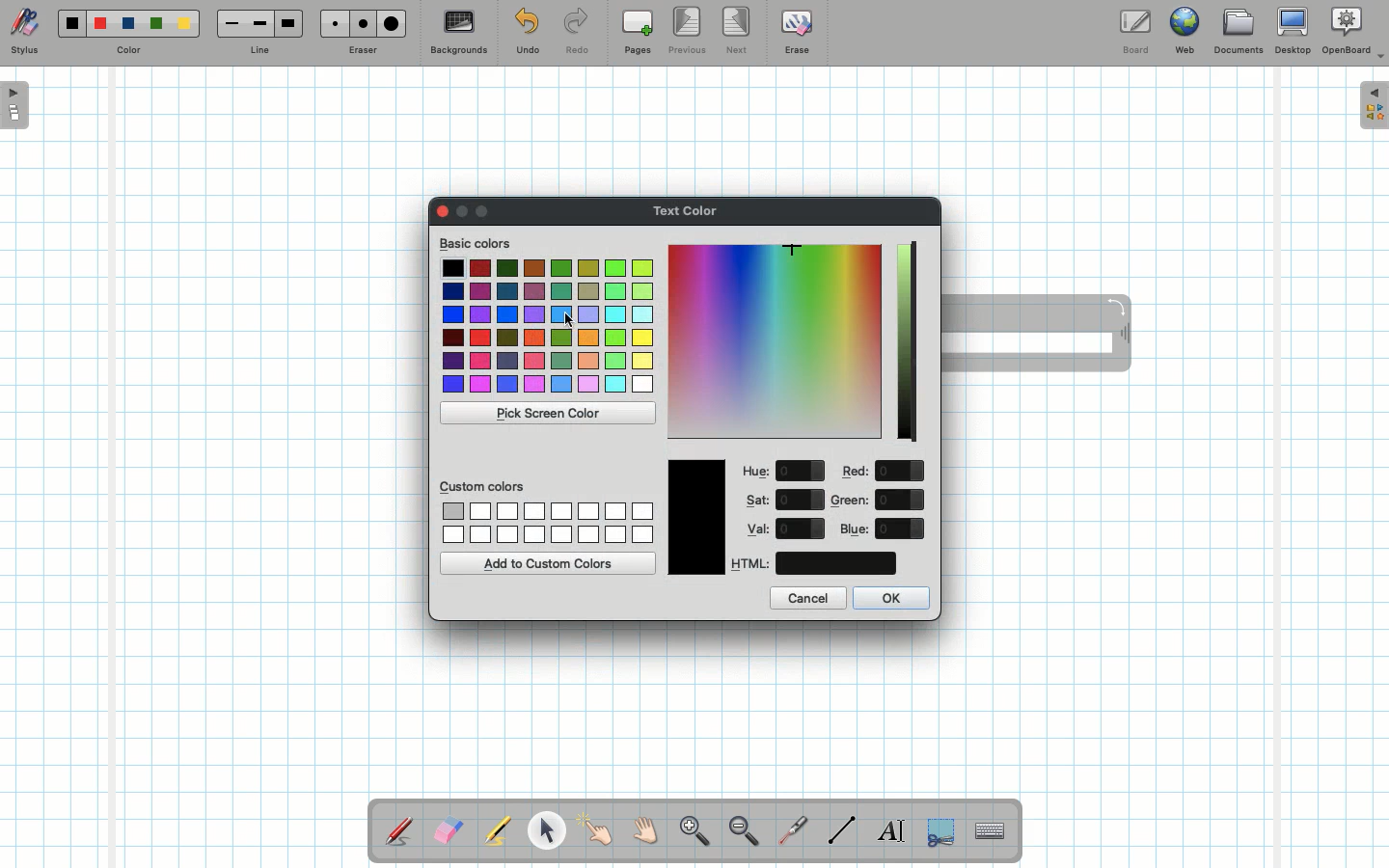  What do you see at coordinates (851, 501) in the screenshot?
I see `Green` at bounding box center [851, 501].